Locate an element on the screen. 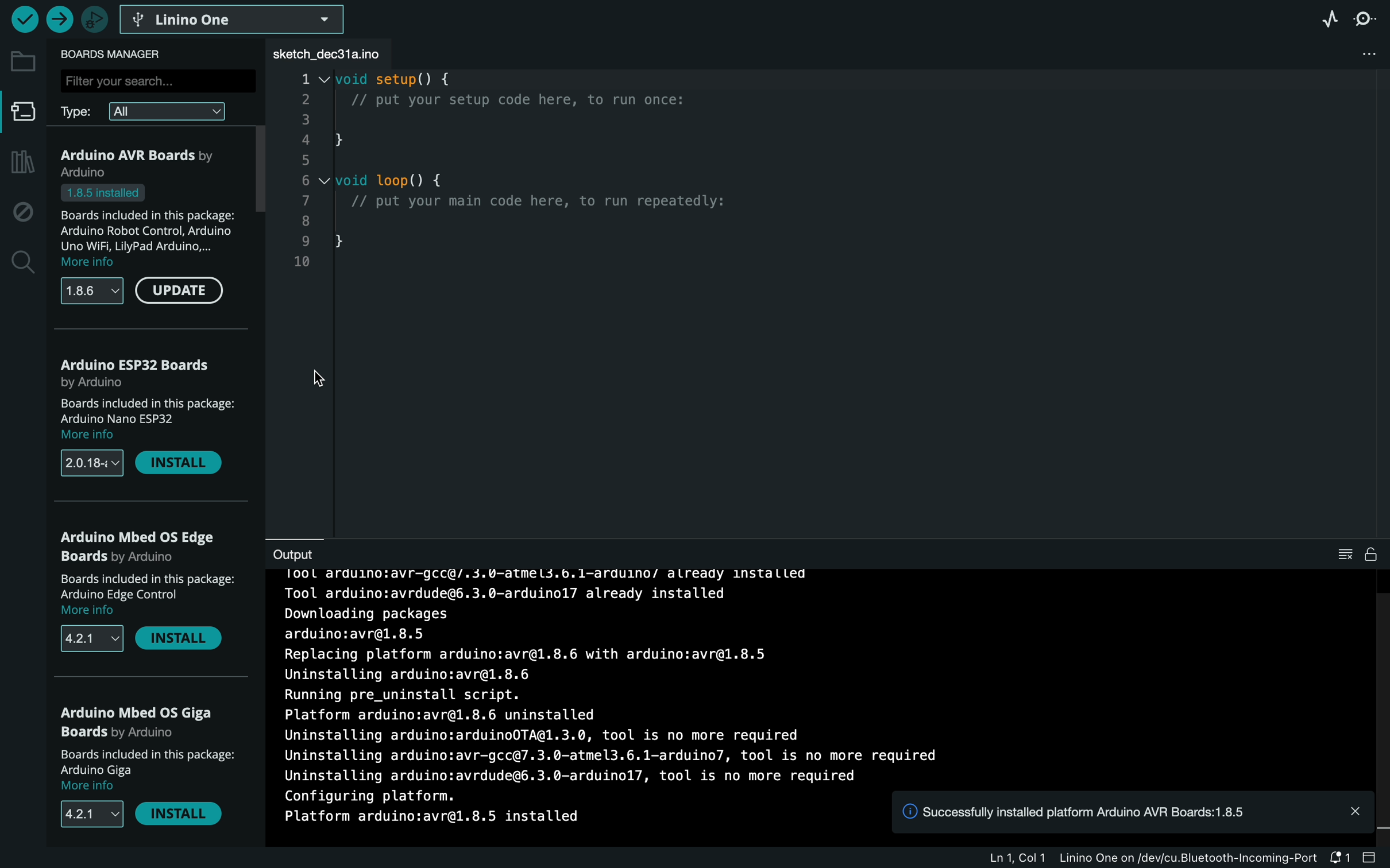  serial monitor is located at coordinates (1369, 18).